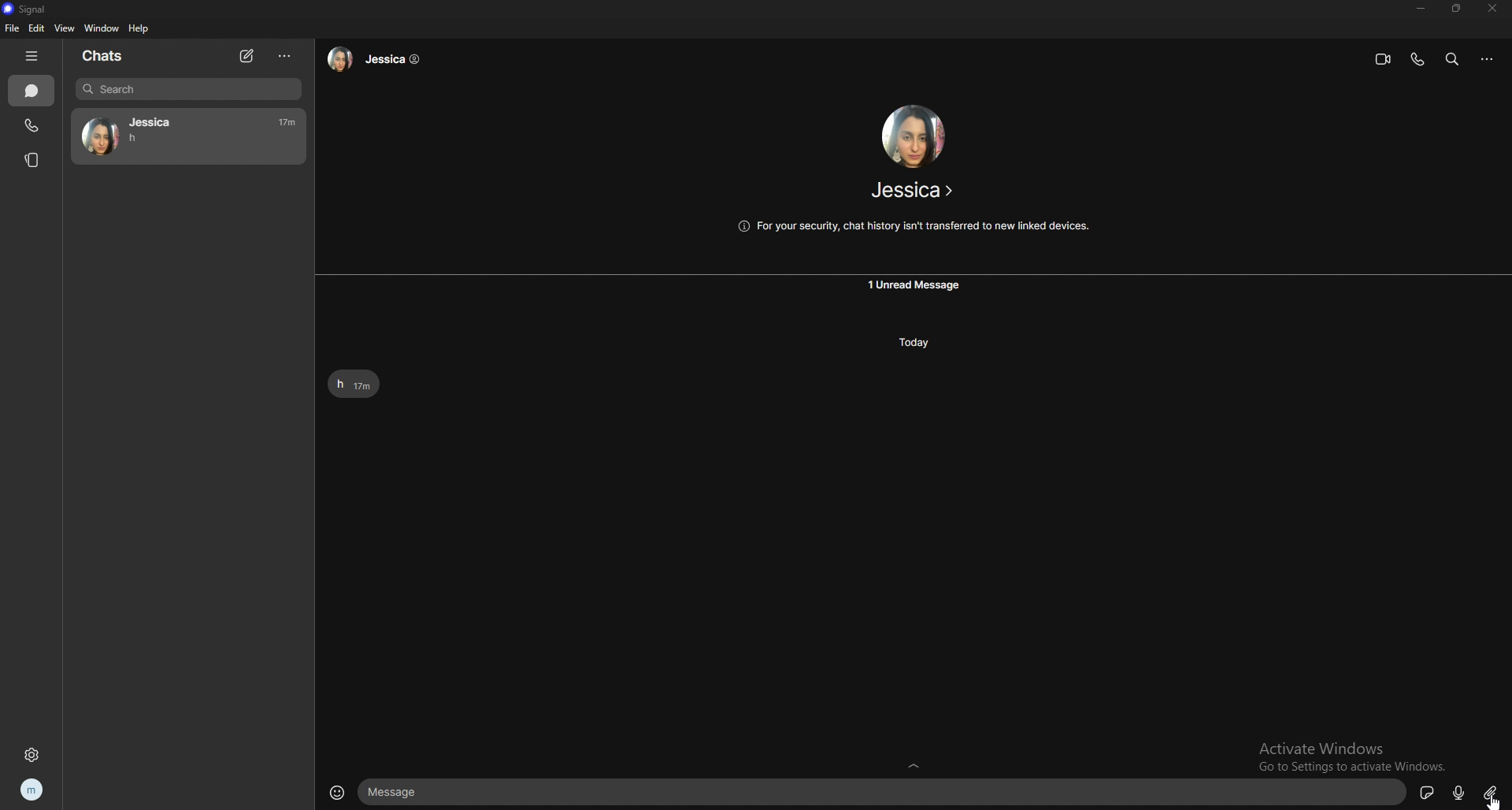 This screenshot has height=810, width=1512. What do you see at coordinates (1454, 58) in the screenshot?
I see `search` at bounding box center [1454, 58].